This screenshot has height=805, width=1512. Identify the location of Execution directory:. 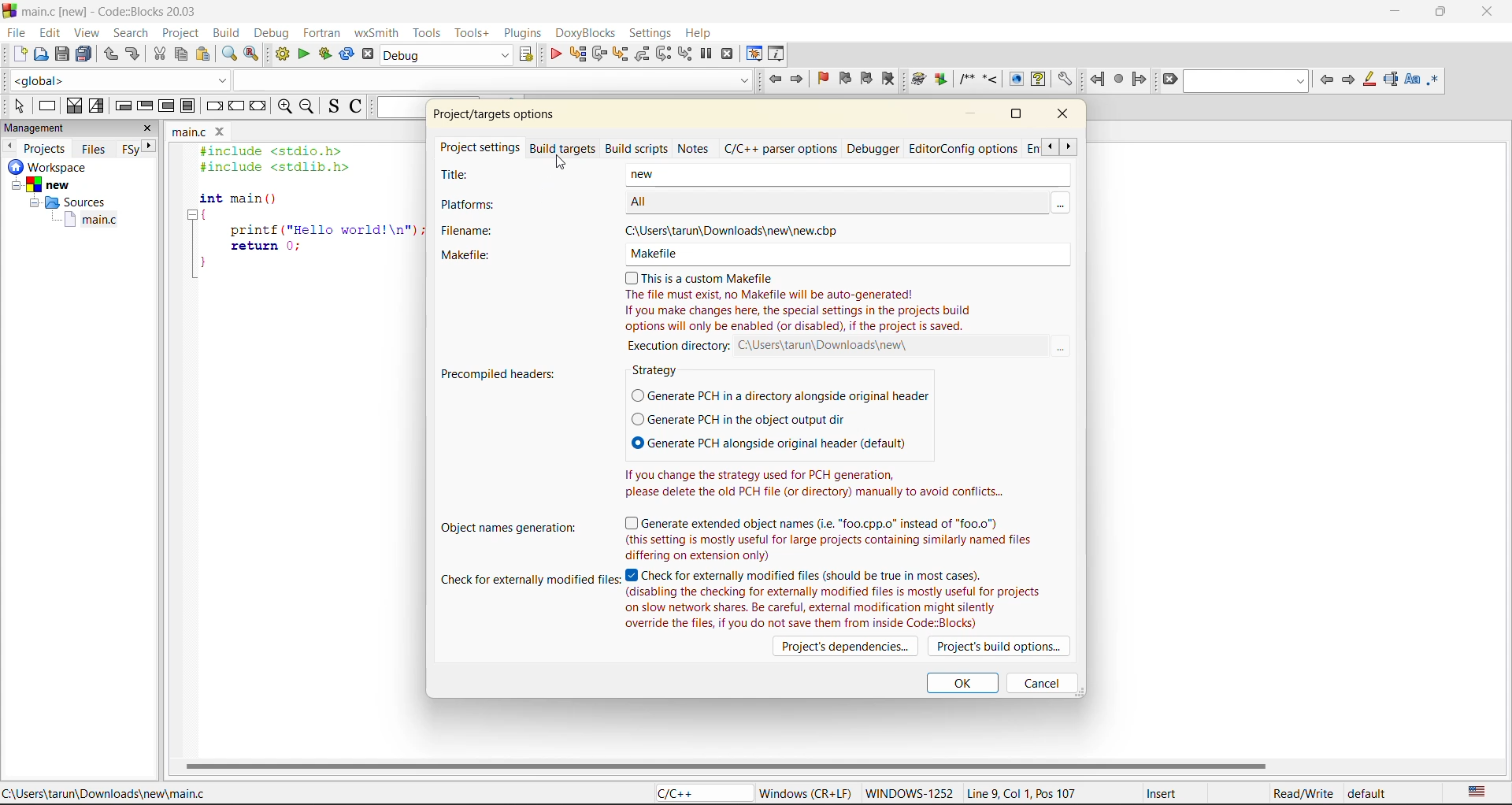
(680, 345).